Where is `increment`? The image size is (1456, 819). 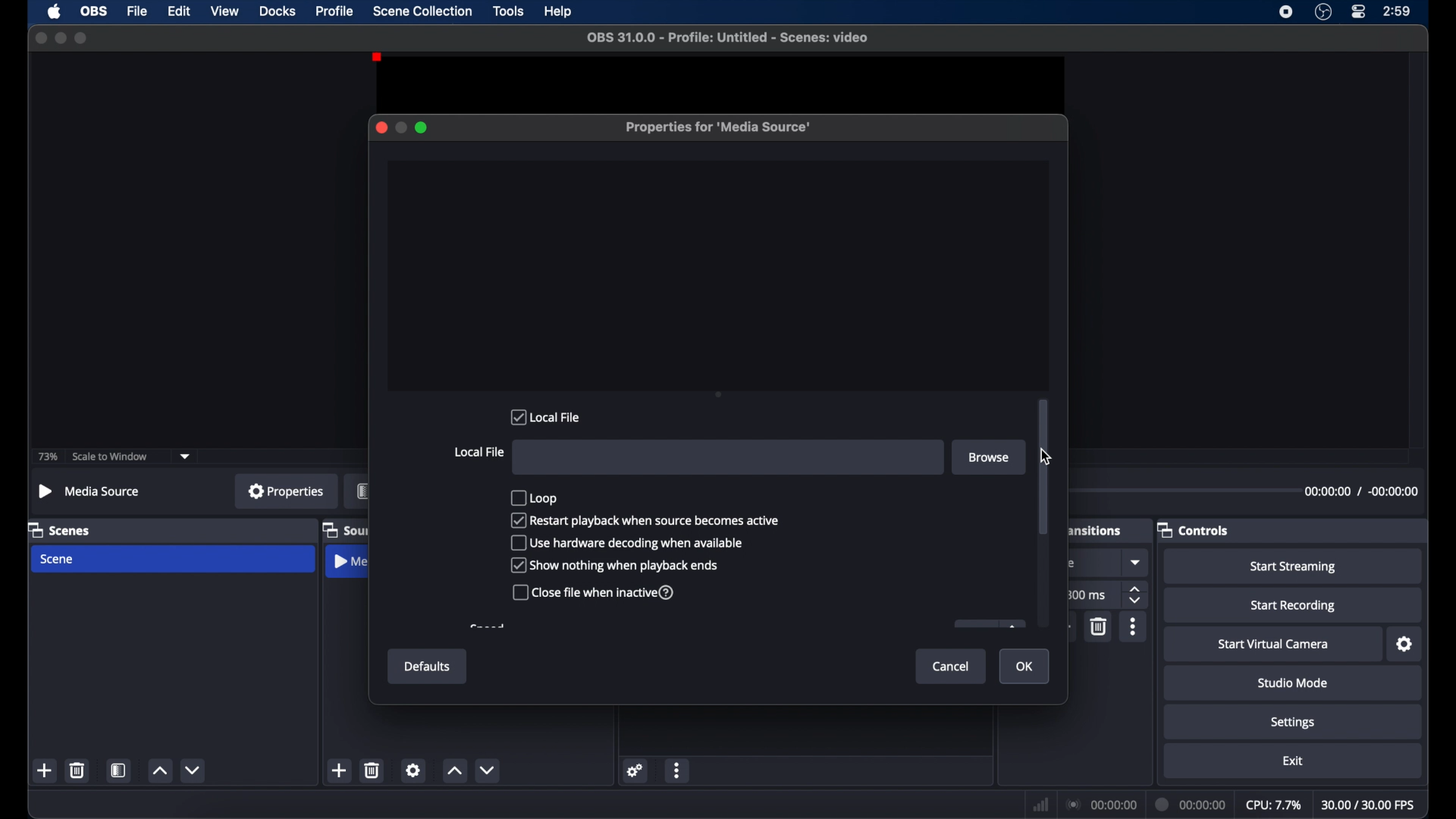 increment is located at coordinates (160, 771).